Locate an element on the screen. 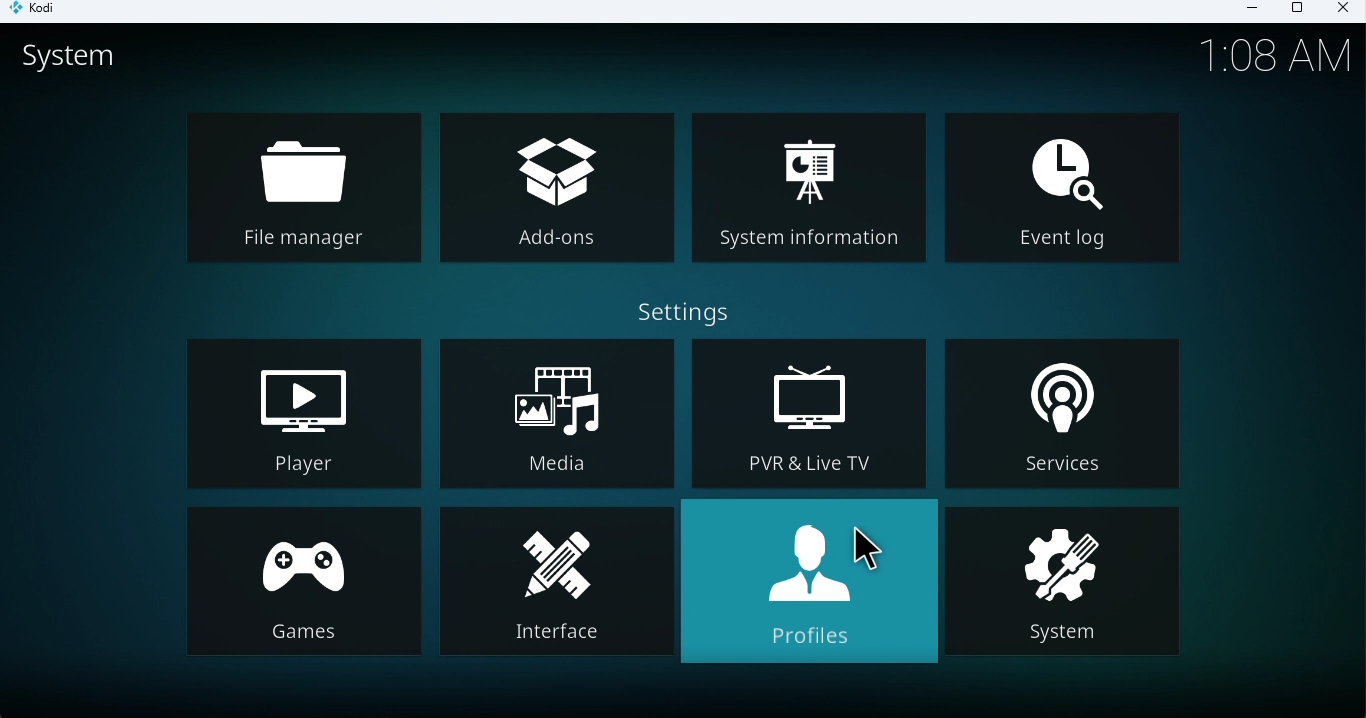 The height and width of the screenshot is (718, 1366). Player is located at coordinates (300, 414).